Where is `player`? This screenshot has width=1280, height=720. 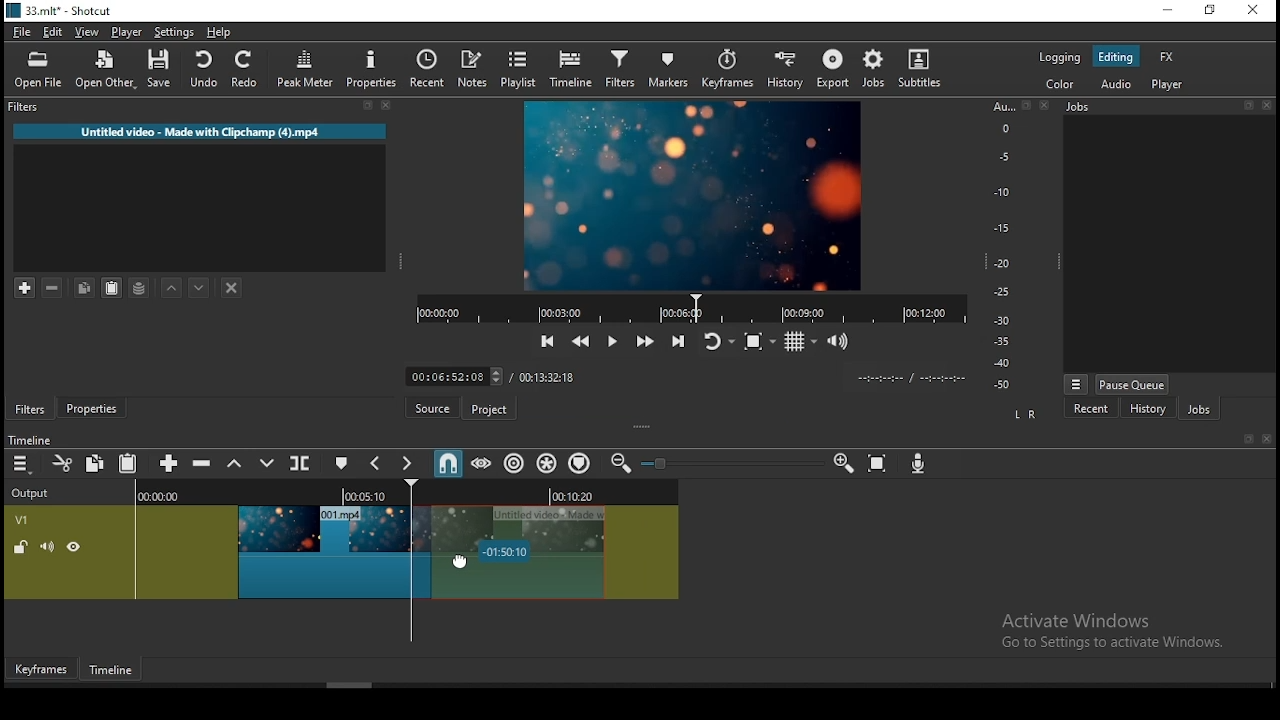 player is located at coordinates (127, 31).